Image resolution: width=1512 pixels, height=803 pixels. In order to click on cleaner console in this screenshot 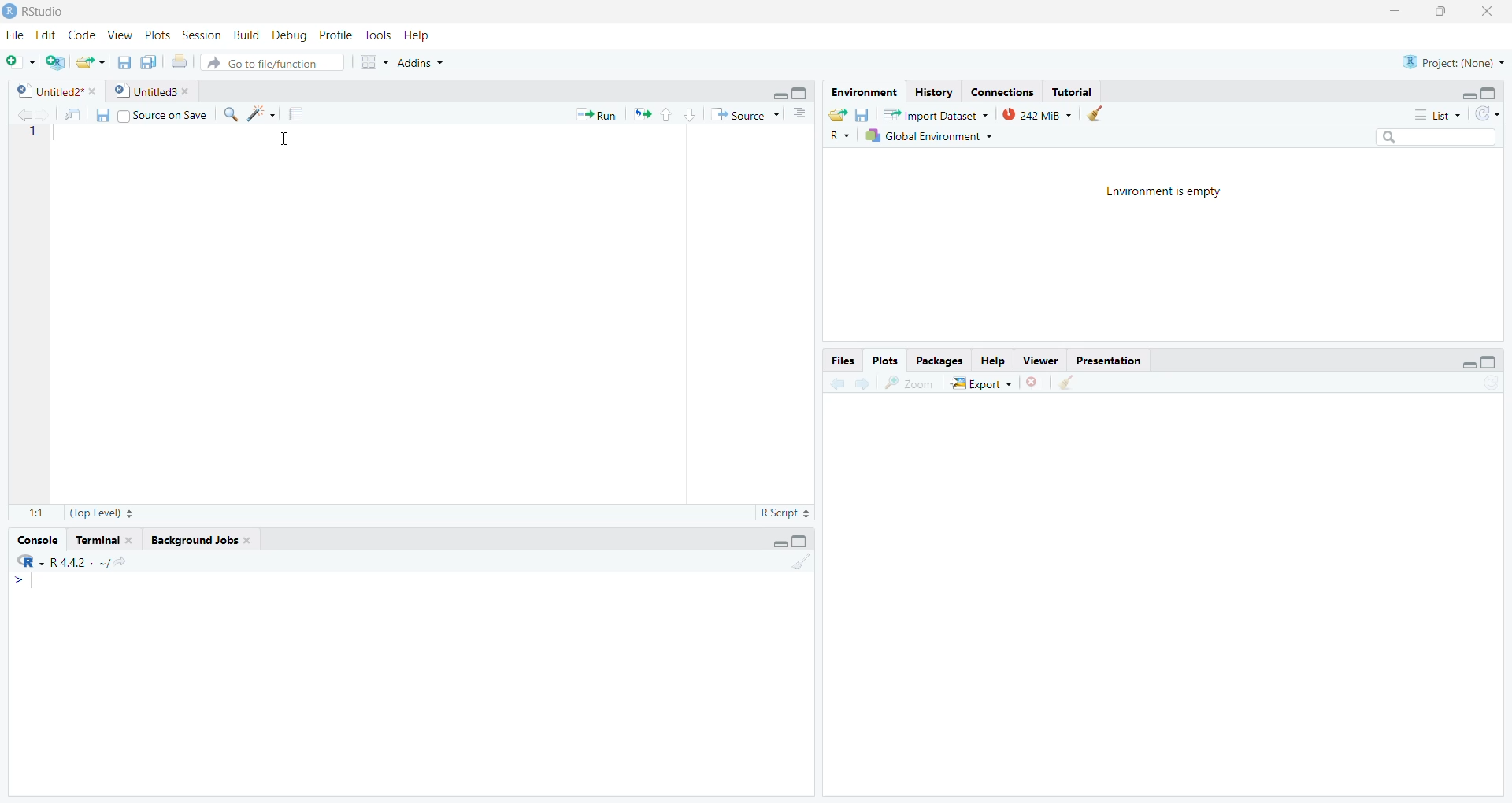, I will do `click(801, 563)`.